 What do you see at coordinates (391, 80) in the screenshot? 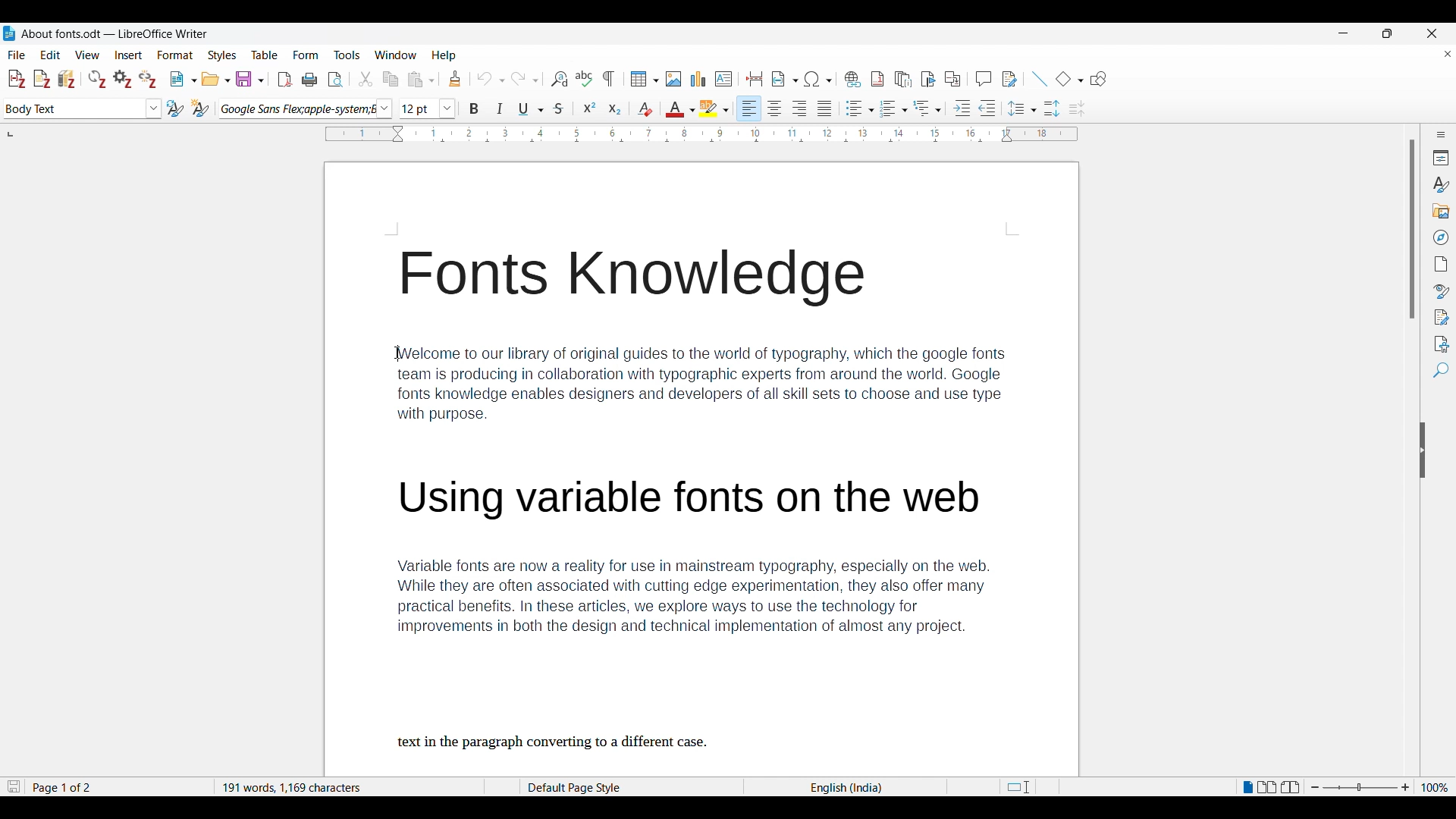
I see `Copy` at bounding box center [391, 80].